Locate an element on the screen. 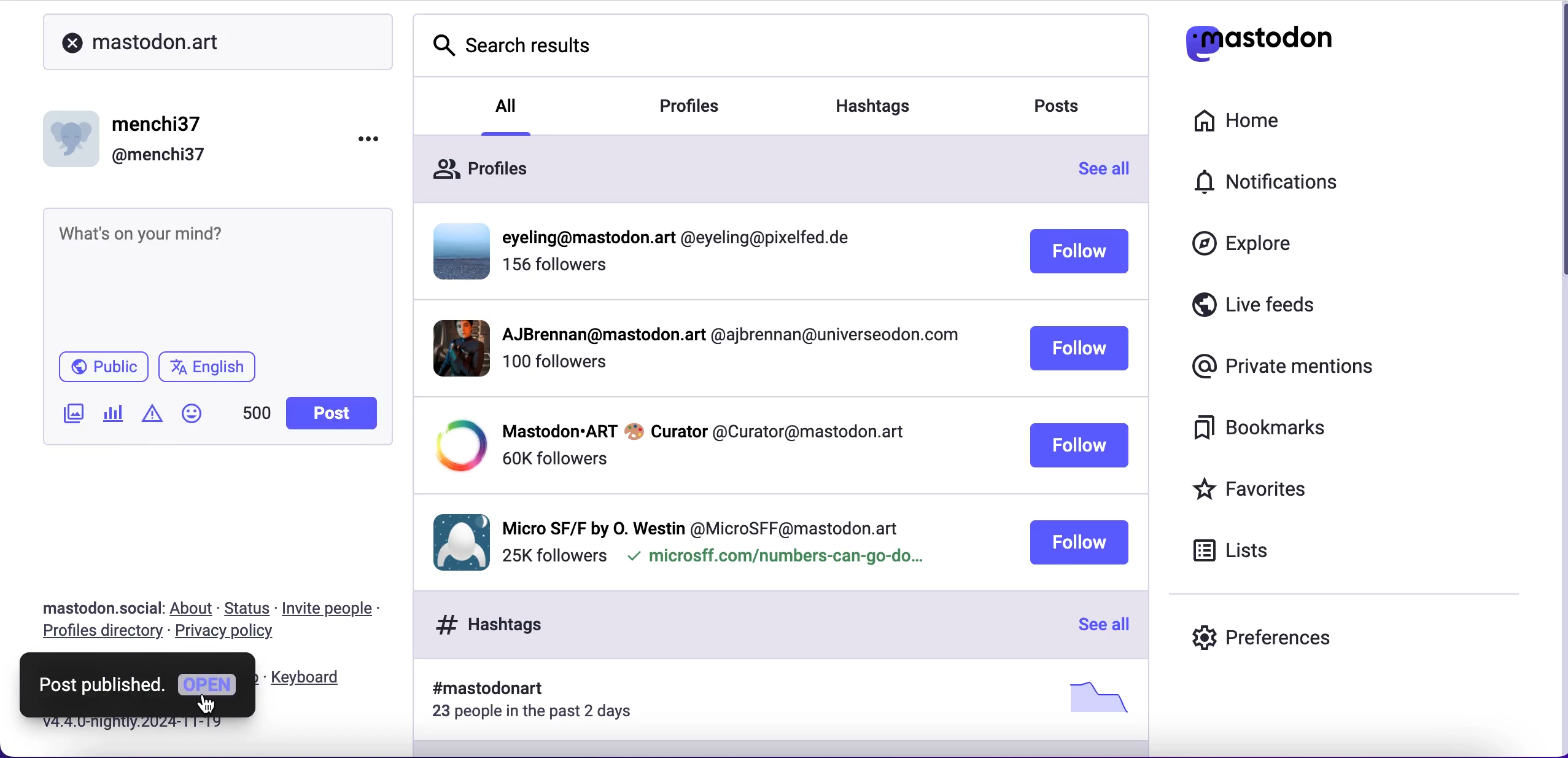  favorites is located at coordinates (1282, 488).